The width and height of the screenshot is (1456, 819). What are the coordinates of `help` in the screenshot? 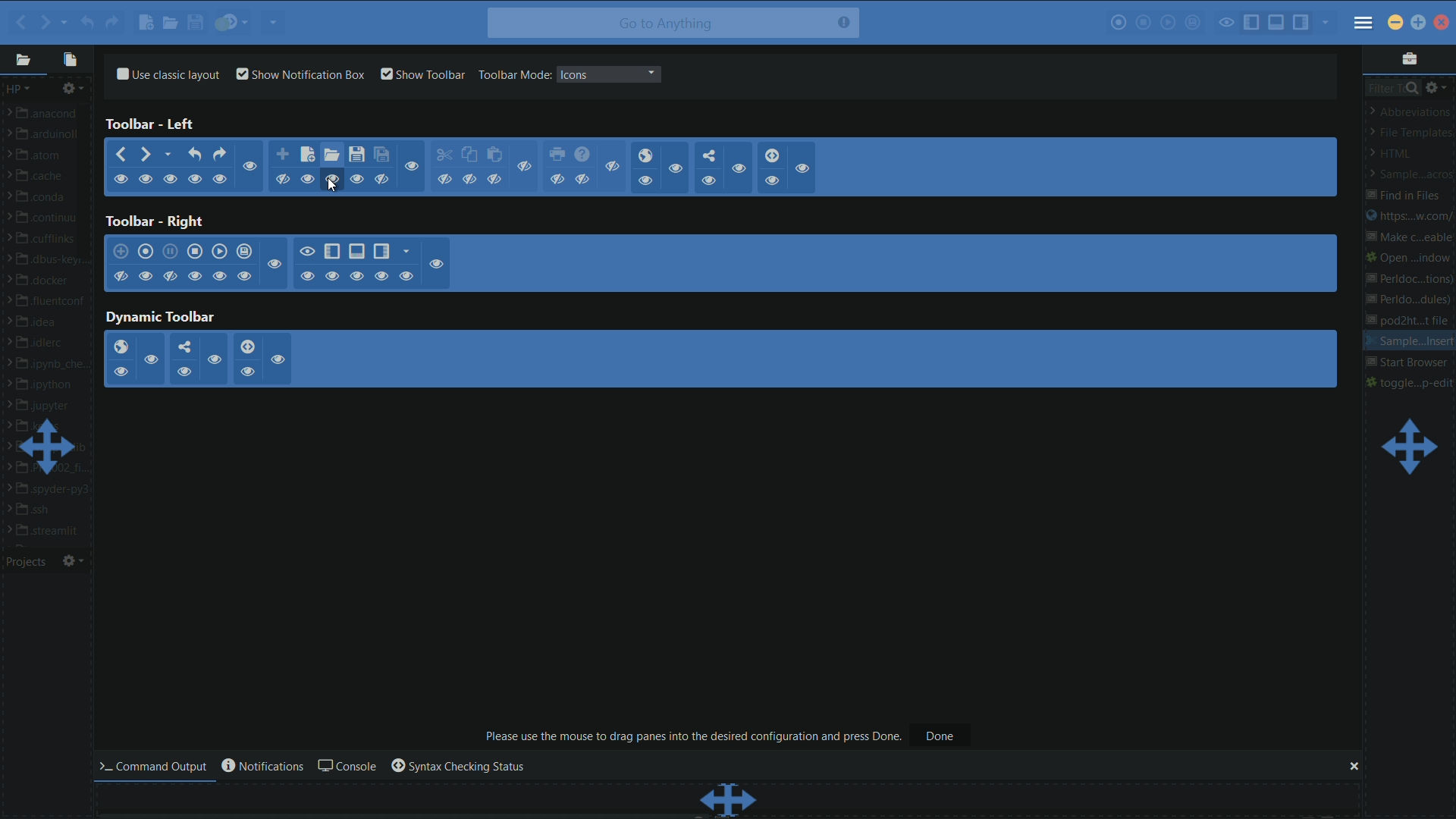 It's located at (582, 155).